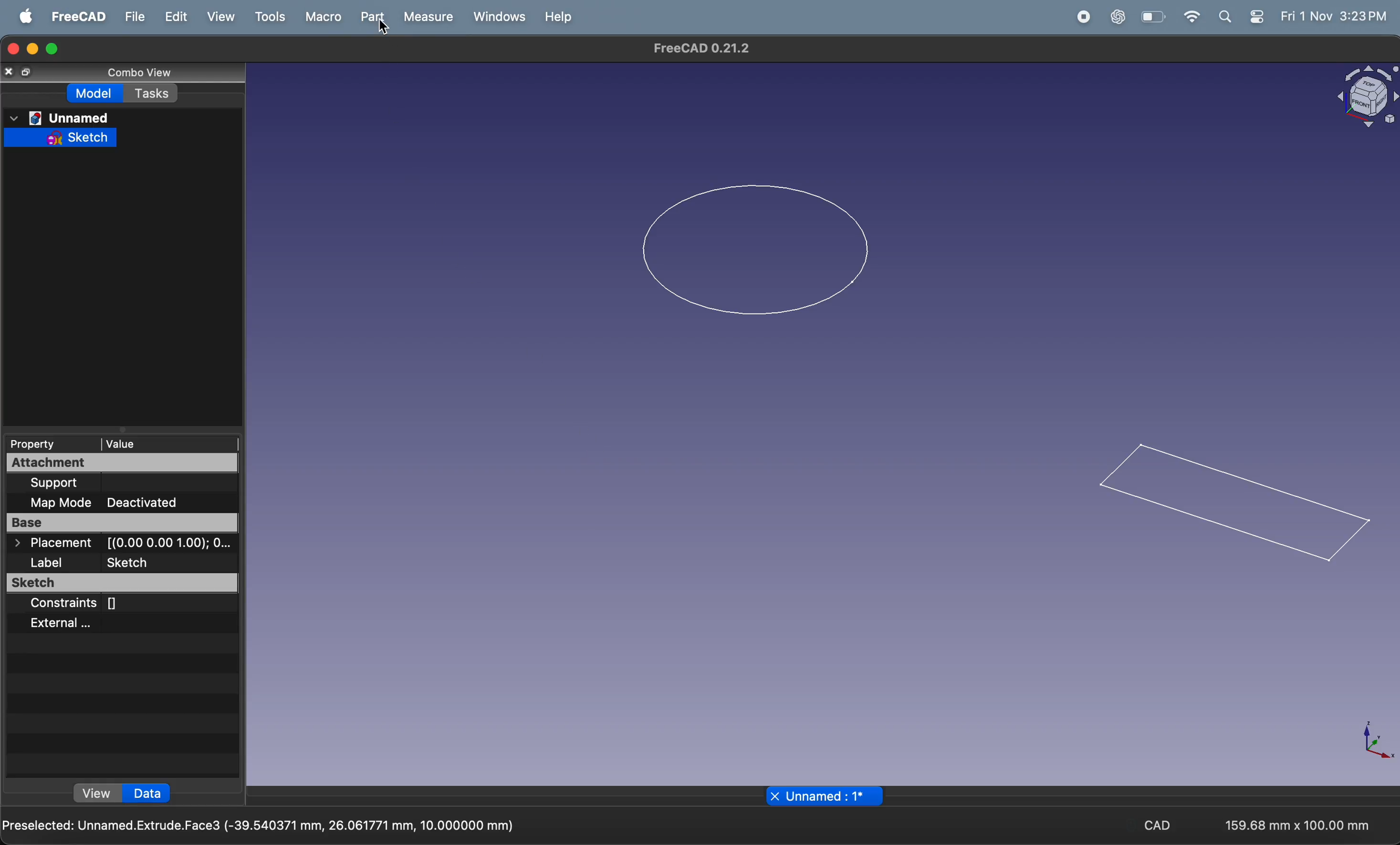 Image resolution: width=1400 pixels, height=845 pixels. What do you see at coordinates (220, 16) in the screenshot?
I see `View` at bounding box center [220, 16].